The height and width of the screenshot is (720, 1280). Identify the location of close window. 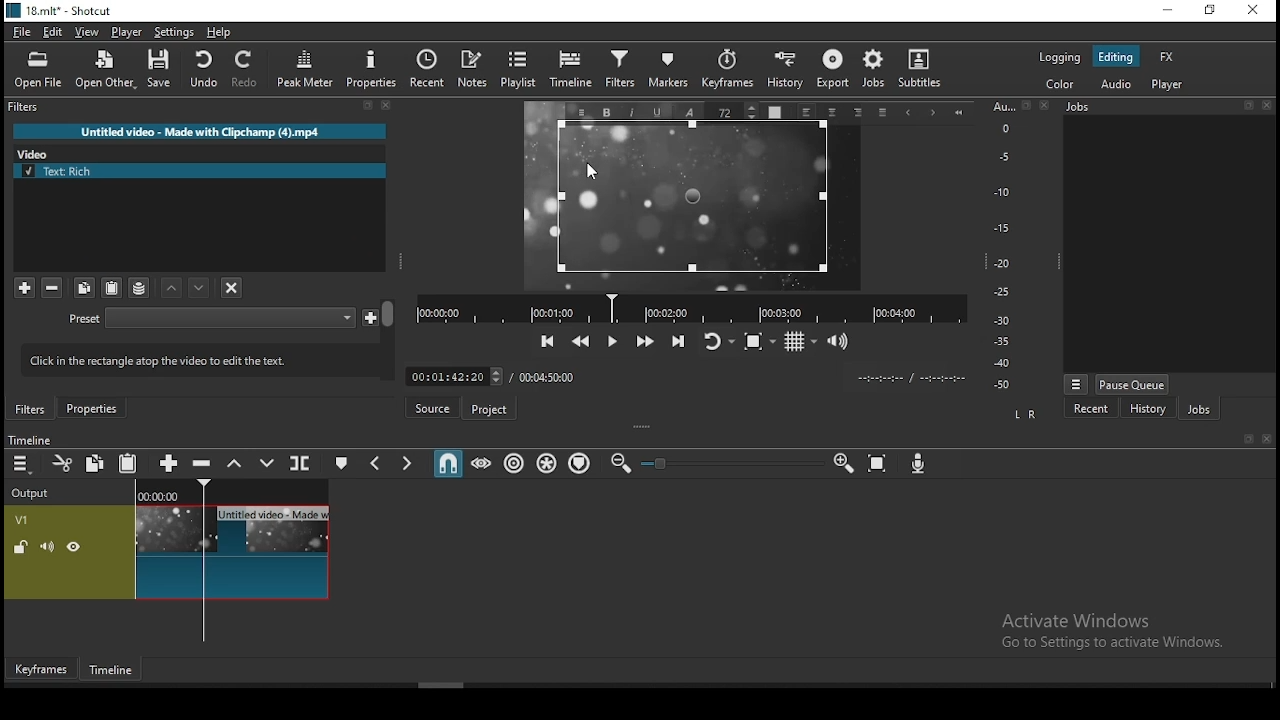
(1255, 10).